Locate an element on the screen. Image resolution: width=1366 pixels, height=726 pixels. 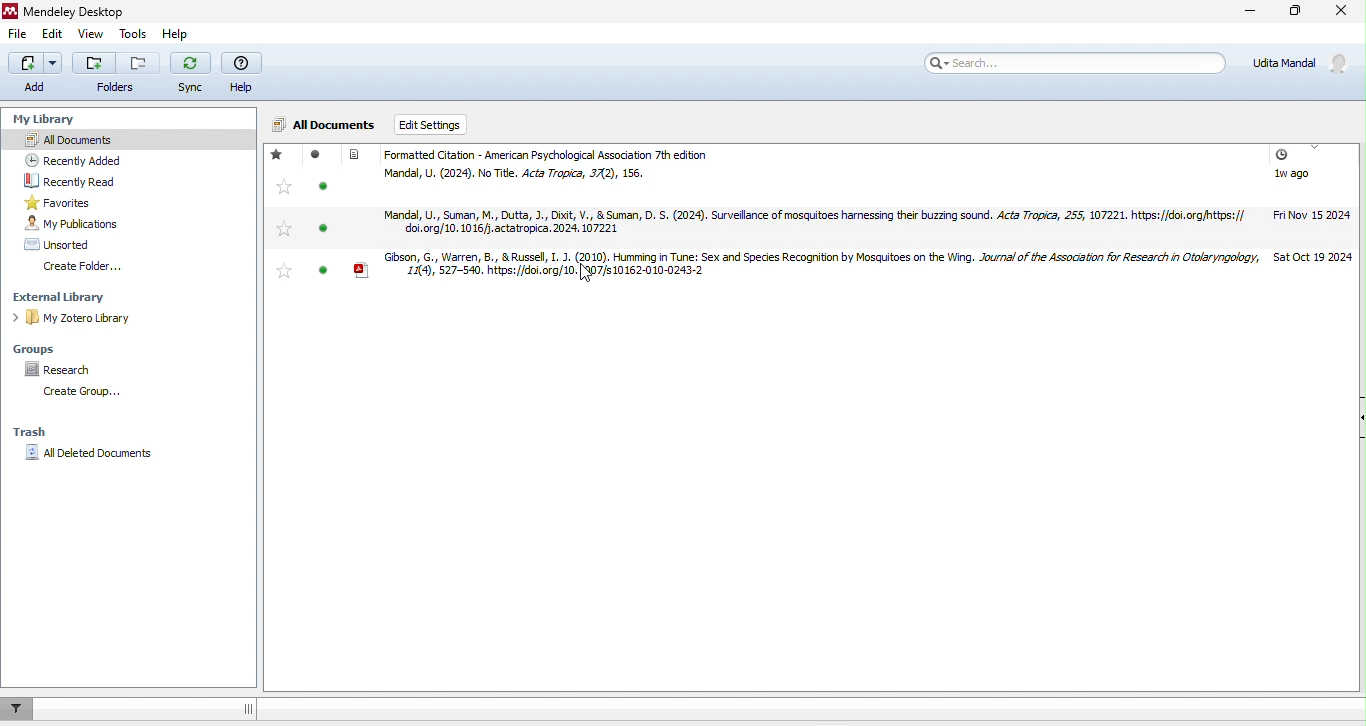
add is located at coordinates (35, 75).